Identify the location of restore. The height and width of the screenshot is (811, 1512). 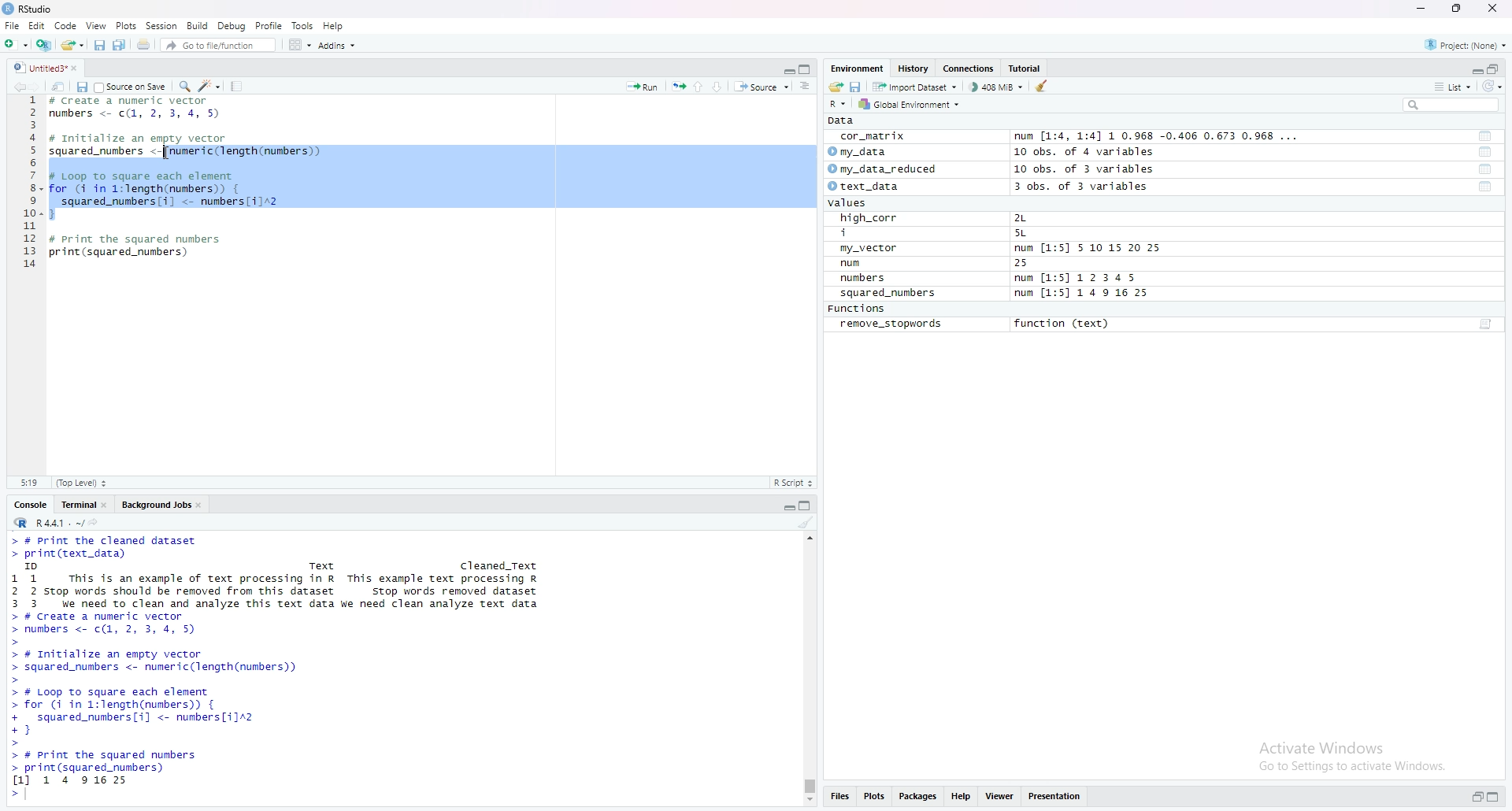
(1477, 798).